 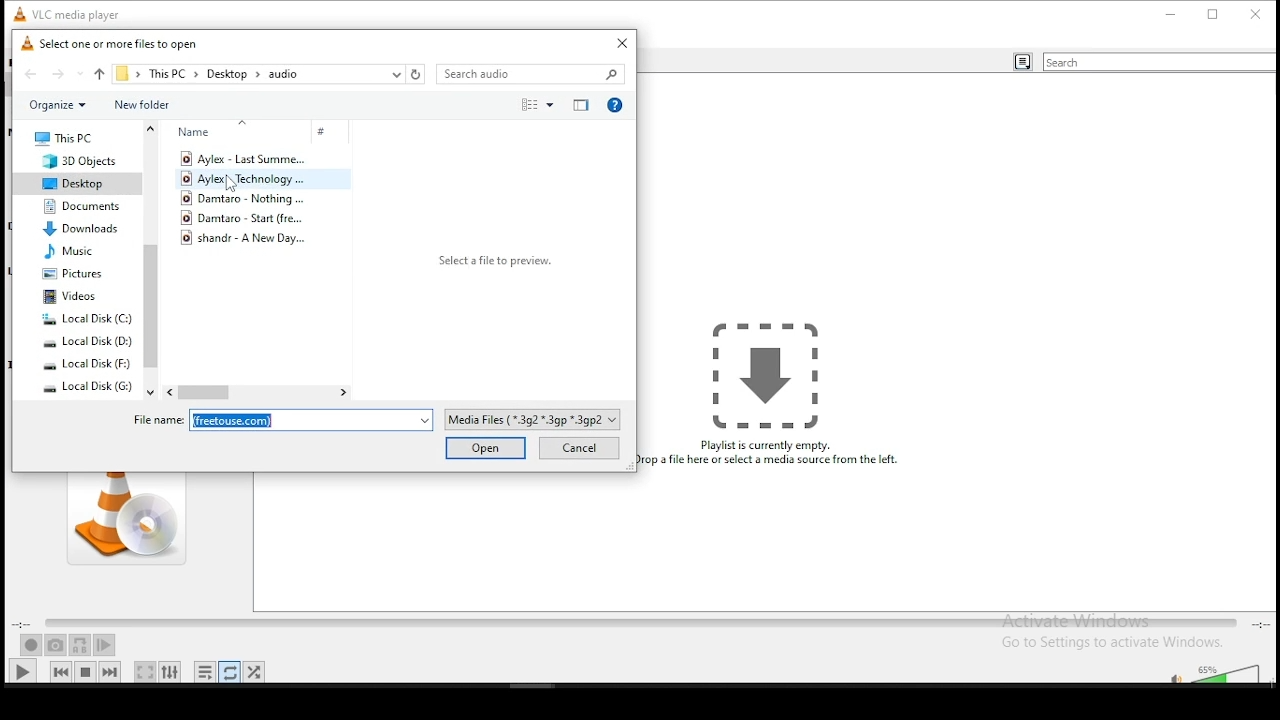 What do you see at coordinates (31, 645) in the screenshot?
I see `record` at bounding box center [31, 645].